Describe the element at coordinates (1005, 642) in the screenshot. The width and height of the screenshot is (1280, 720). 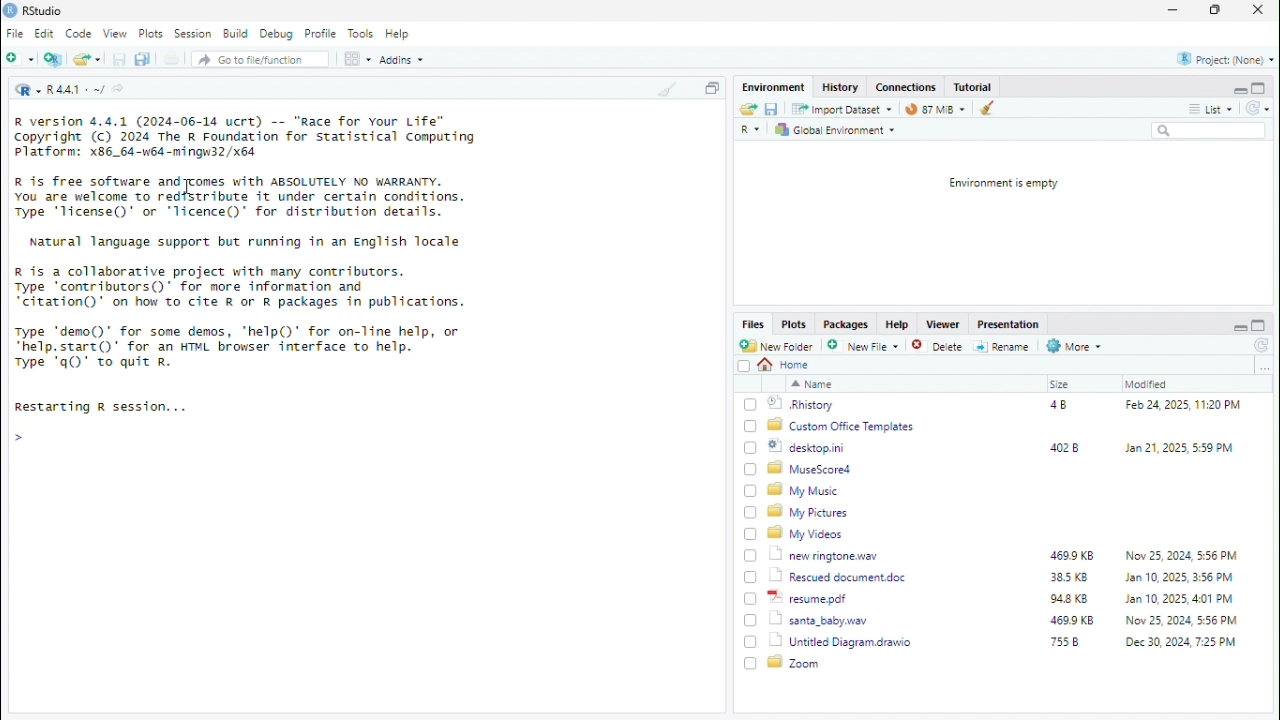
I see `Untitled Diagram.drawio 755B Dec 30, 2024, 7.25 PM` at that location.